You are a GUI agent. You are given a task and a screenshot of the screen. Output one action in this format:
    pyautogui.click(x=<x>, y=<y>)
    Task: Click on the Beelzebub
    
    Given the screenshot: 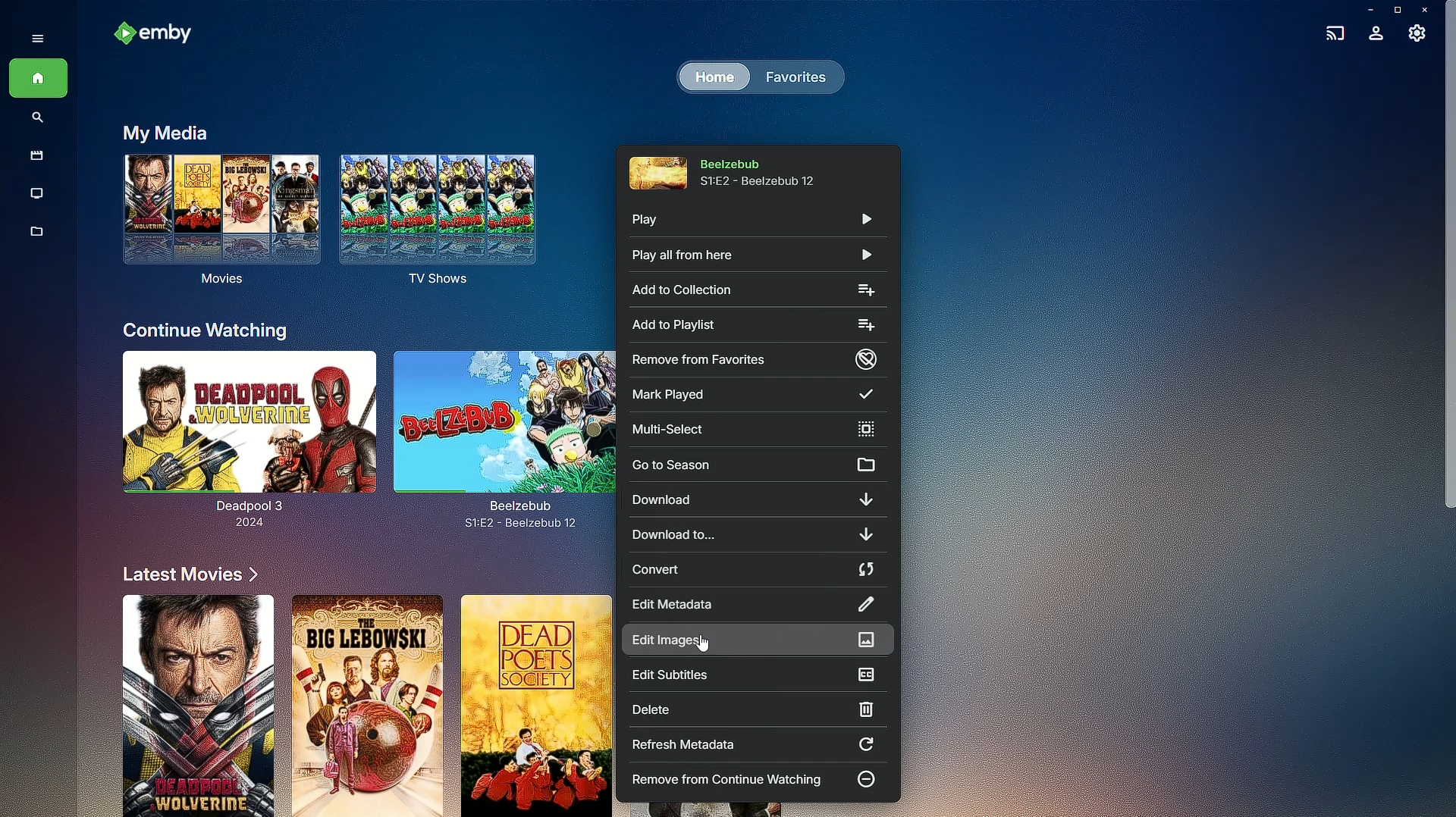 What is the action you would take?
    pyautogui.click(x=504, y=434)
    